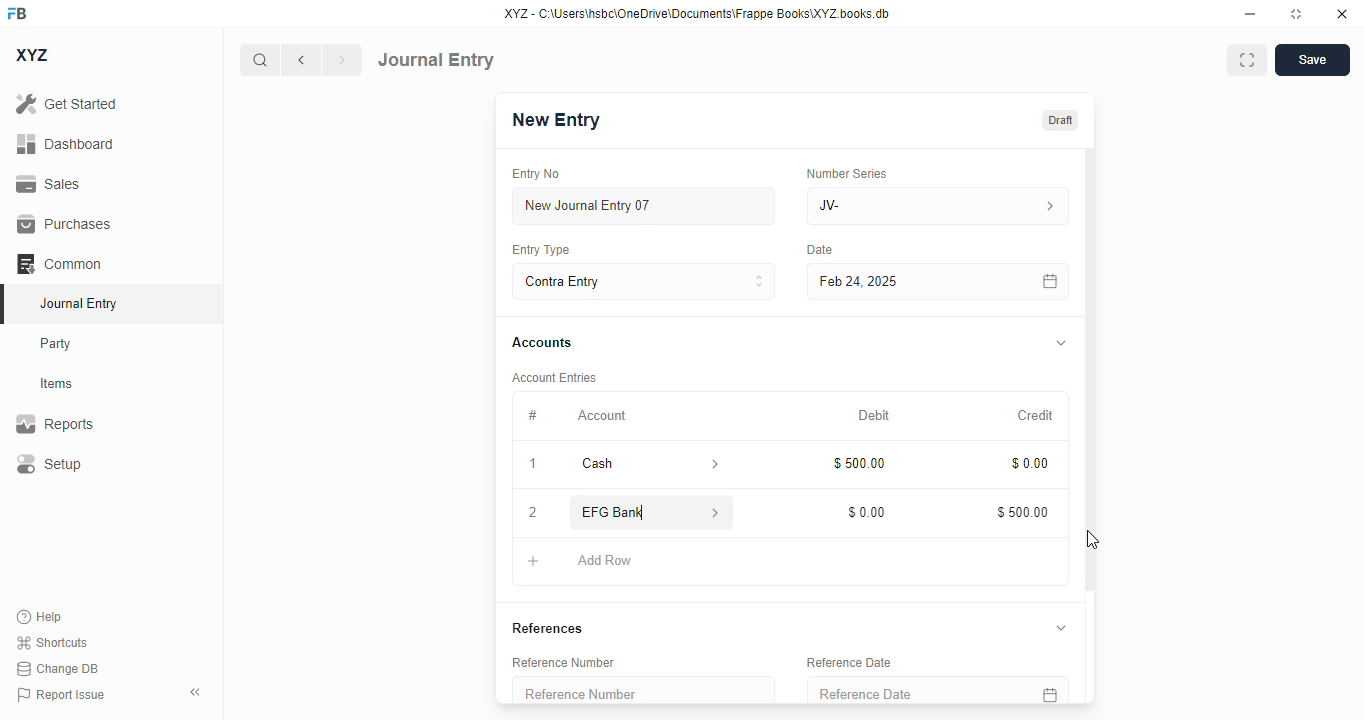 This screenshot has width=1364, height=720. I want to click on toggle sidebar, so click(197, 692).